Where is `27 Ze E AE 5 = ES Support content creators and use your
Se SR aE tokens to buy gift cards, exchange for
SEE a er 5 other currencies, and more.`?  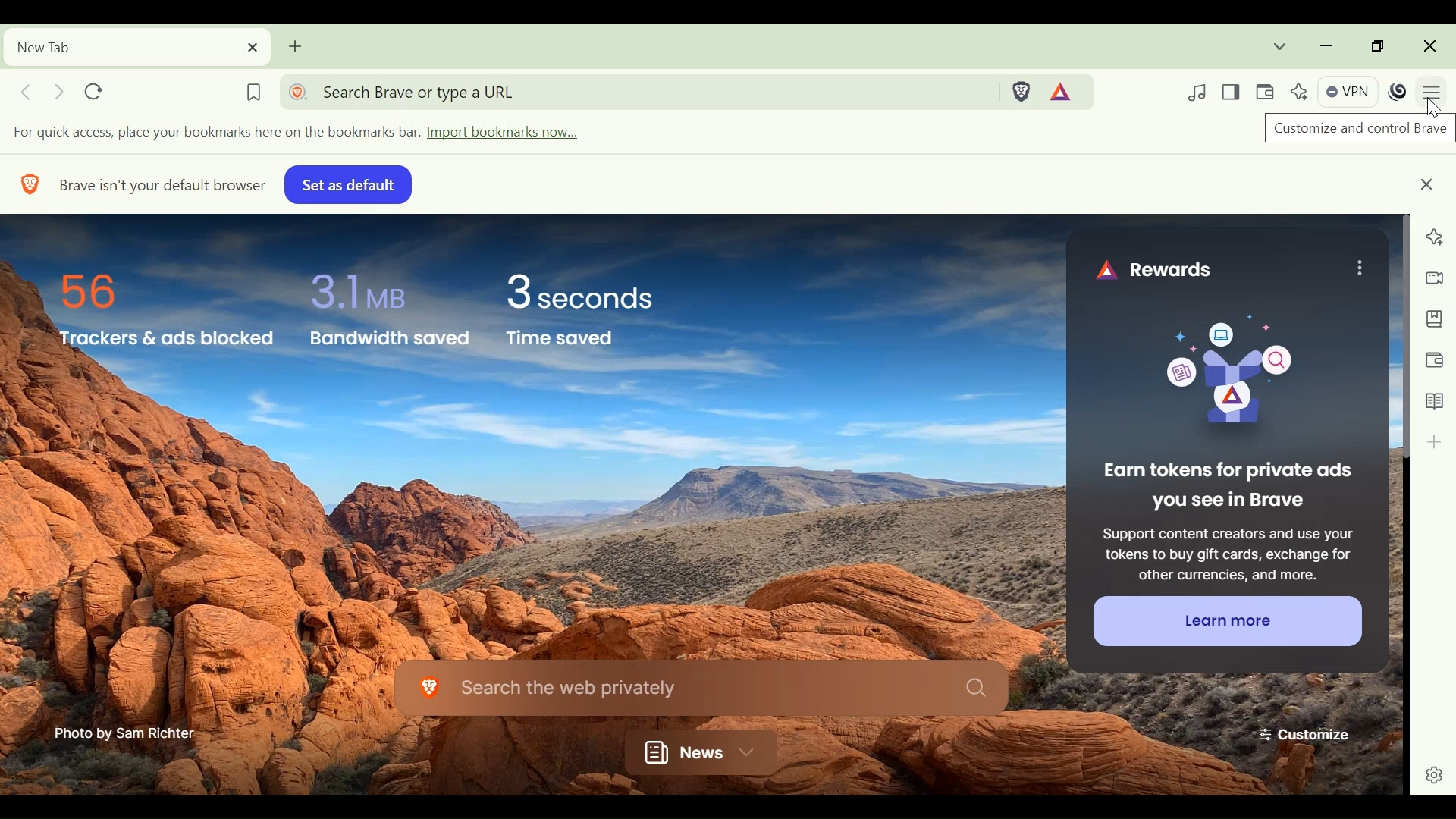 27 Ze E AE 5 = ES Support content creators and use your
Se SR aE tokens to buy gift cards, exchange for
SEE a er 5 other currencies, and more. is located at coordinates (1232, 551).